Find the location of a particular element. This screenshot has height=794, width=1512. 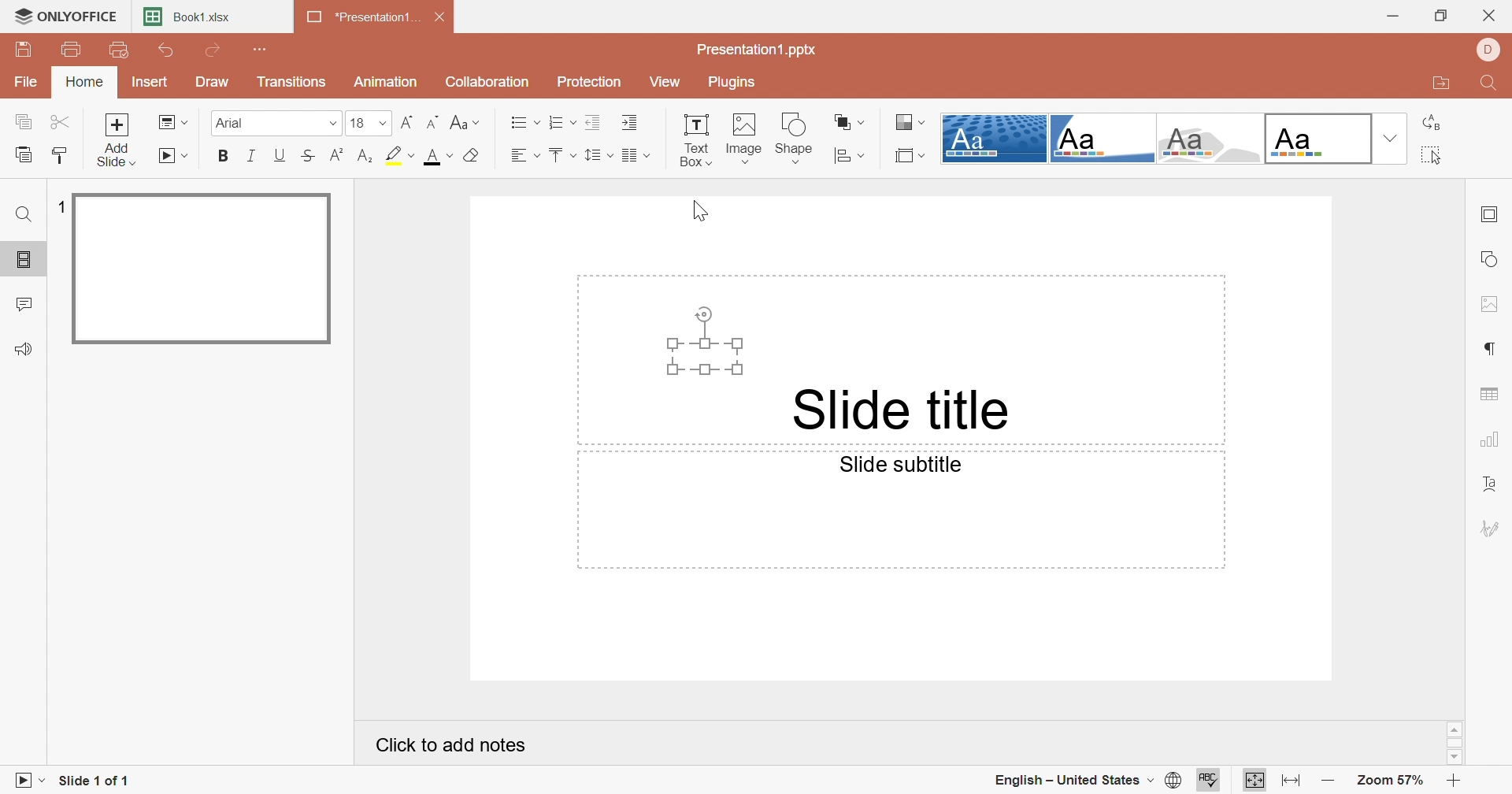

Fit to width is located at coordinates (1293, 781).